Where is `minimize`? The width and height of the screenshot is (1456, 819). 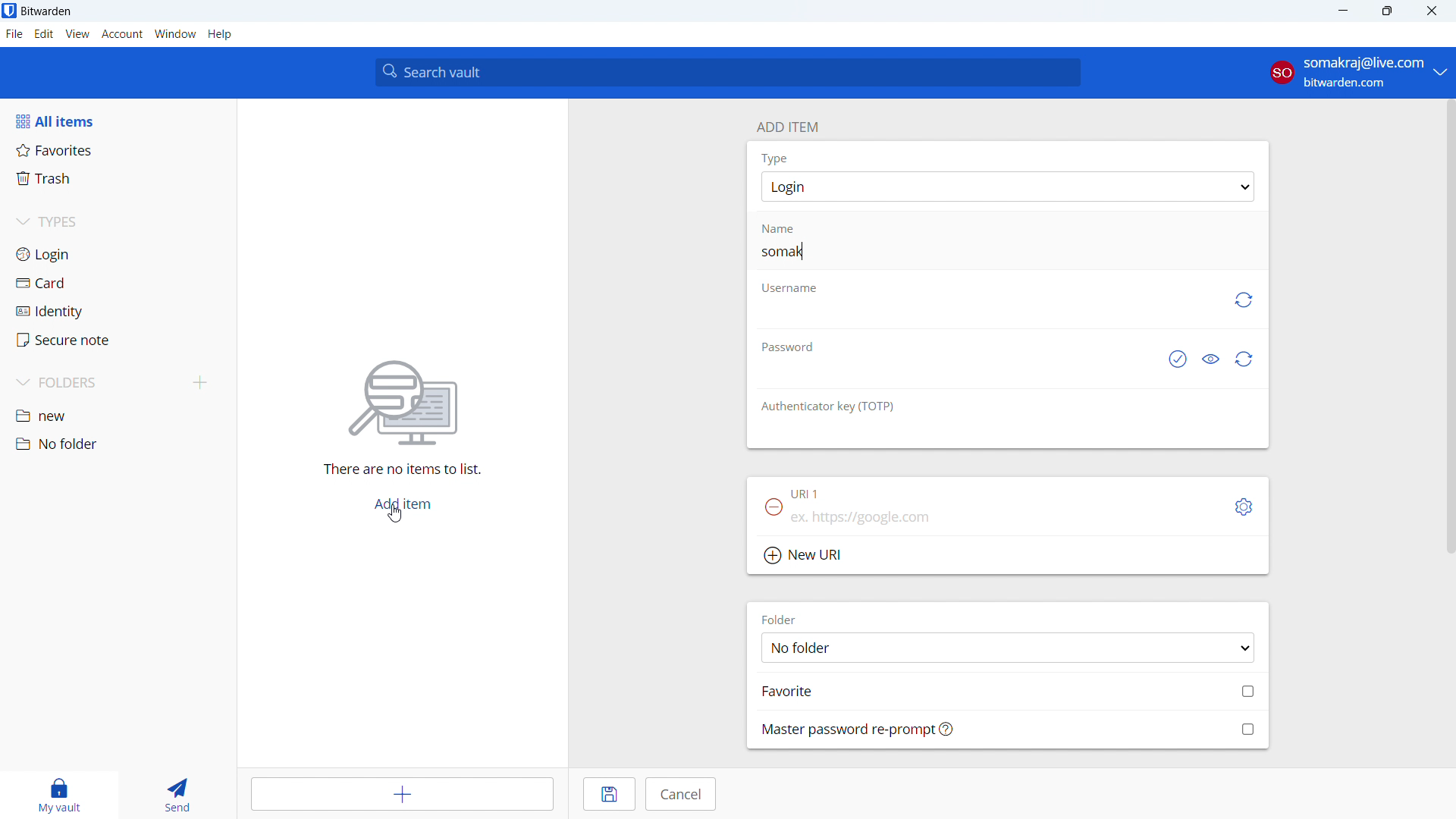
minimize is located at coordinates (1341, 11).